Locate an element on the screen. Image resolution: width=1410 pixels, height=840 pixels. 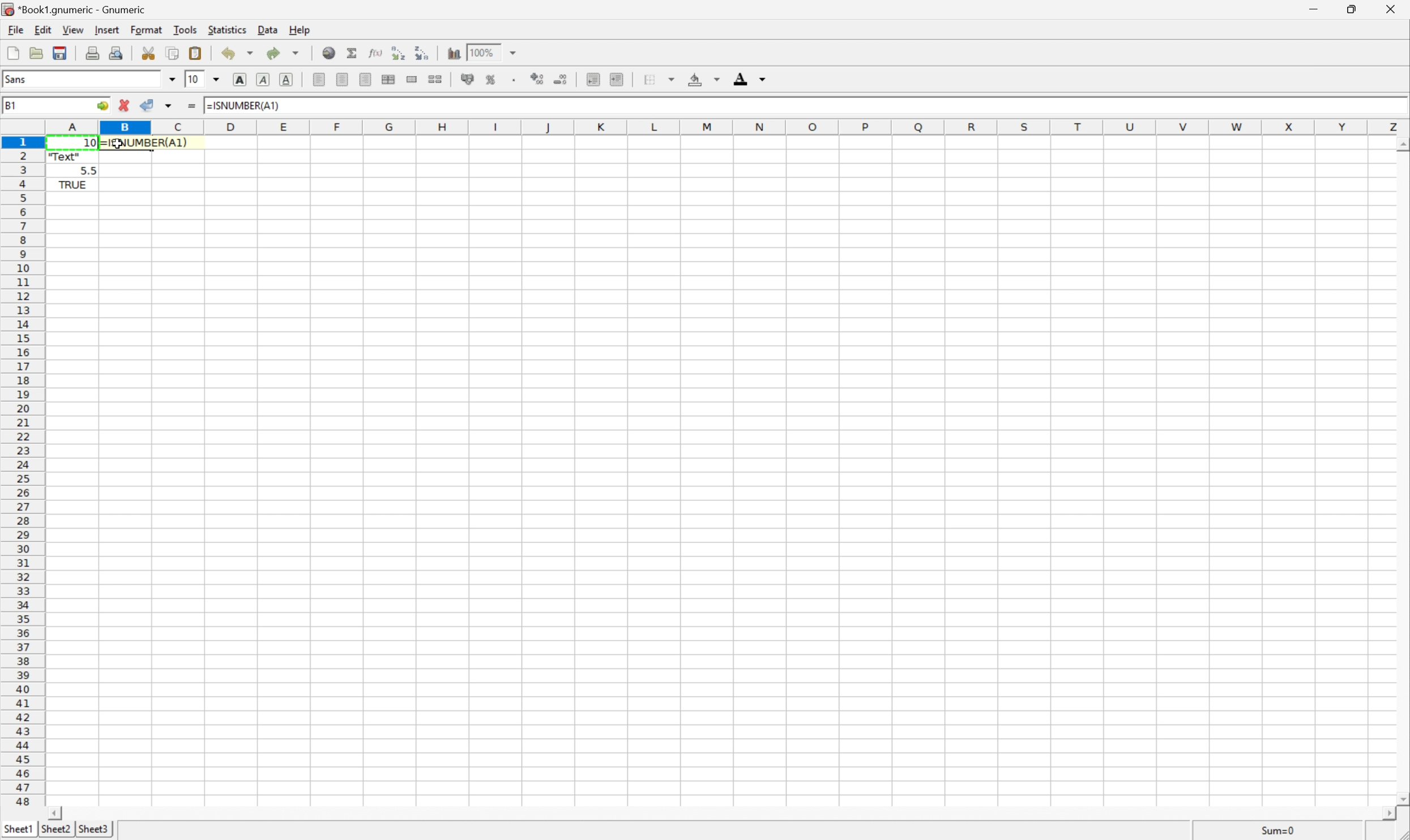
Drop Down is located at coordinates (169, 79).